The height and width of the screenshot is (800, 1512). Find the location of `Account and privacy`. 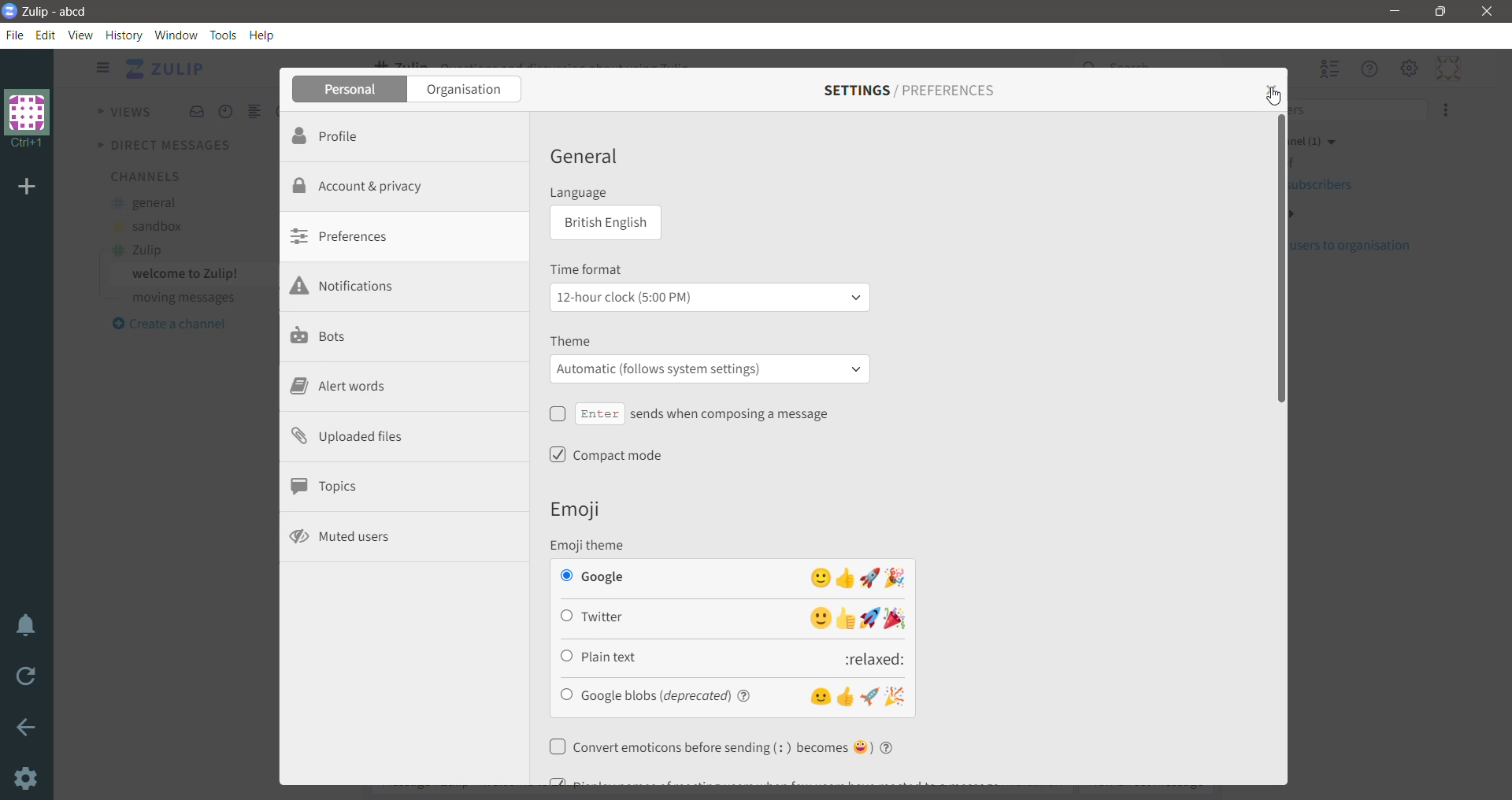

Account and privacy is located at coordinates (367, 186).